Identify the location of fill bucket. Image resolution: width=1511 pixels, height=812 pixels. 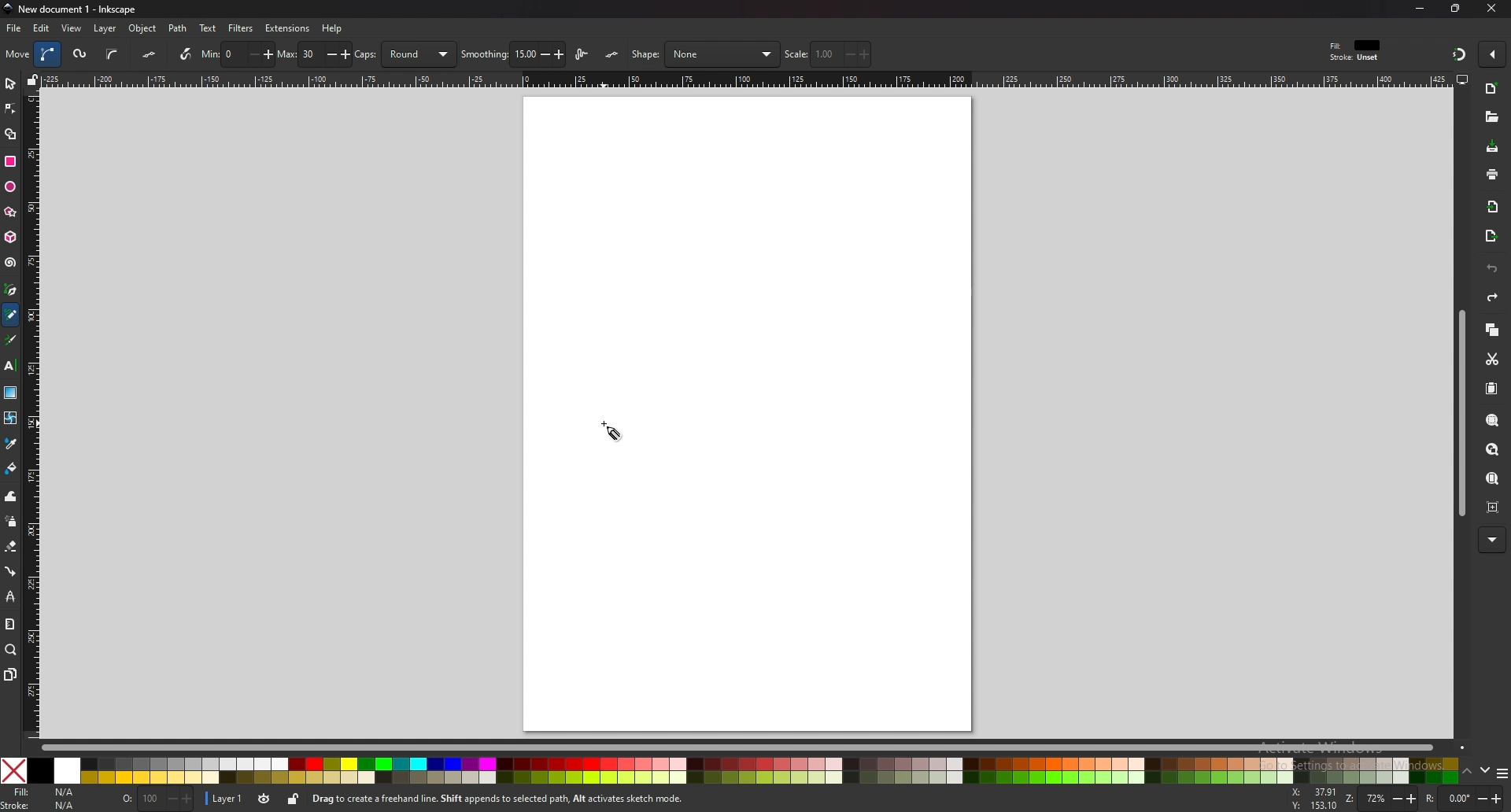
(10, 468).